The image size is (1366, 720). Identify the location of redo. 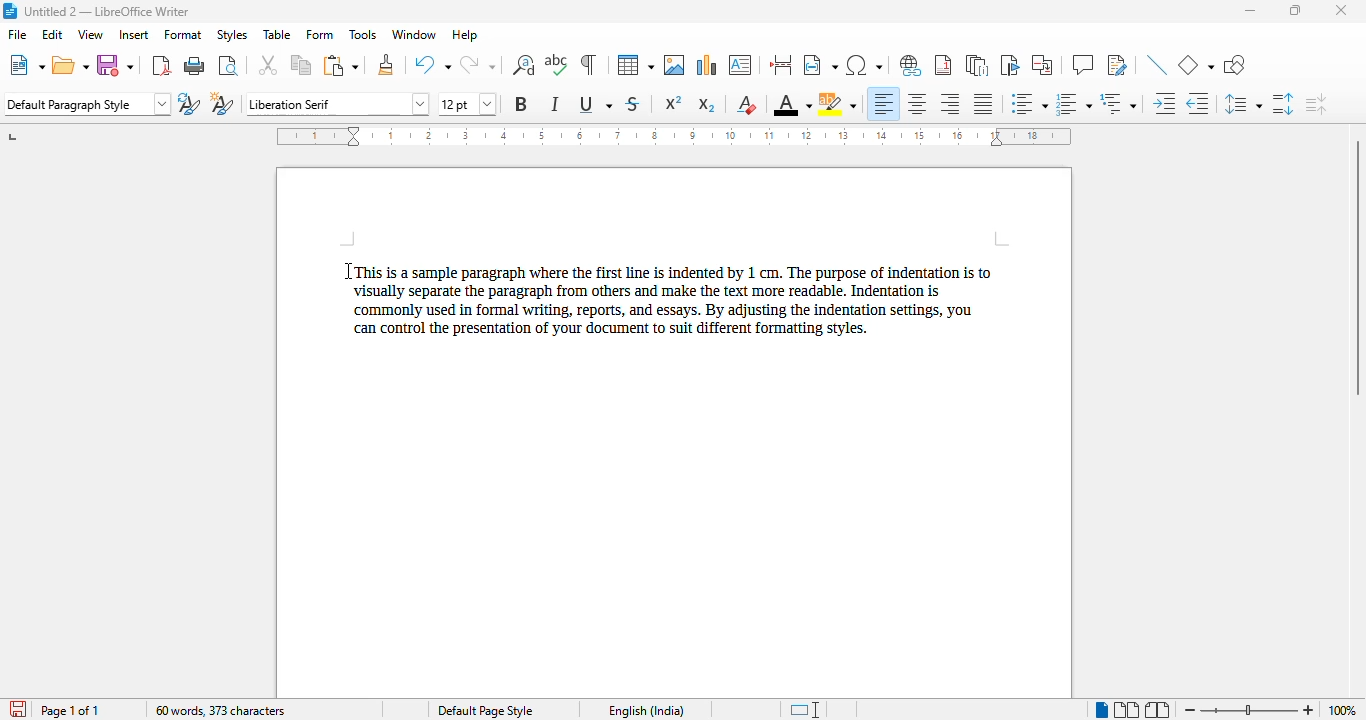
(477, 64).